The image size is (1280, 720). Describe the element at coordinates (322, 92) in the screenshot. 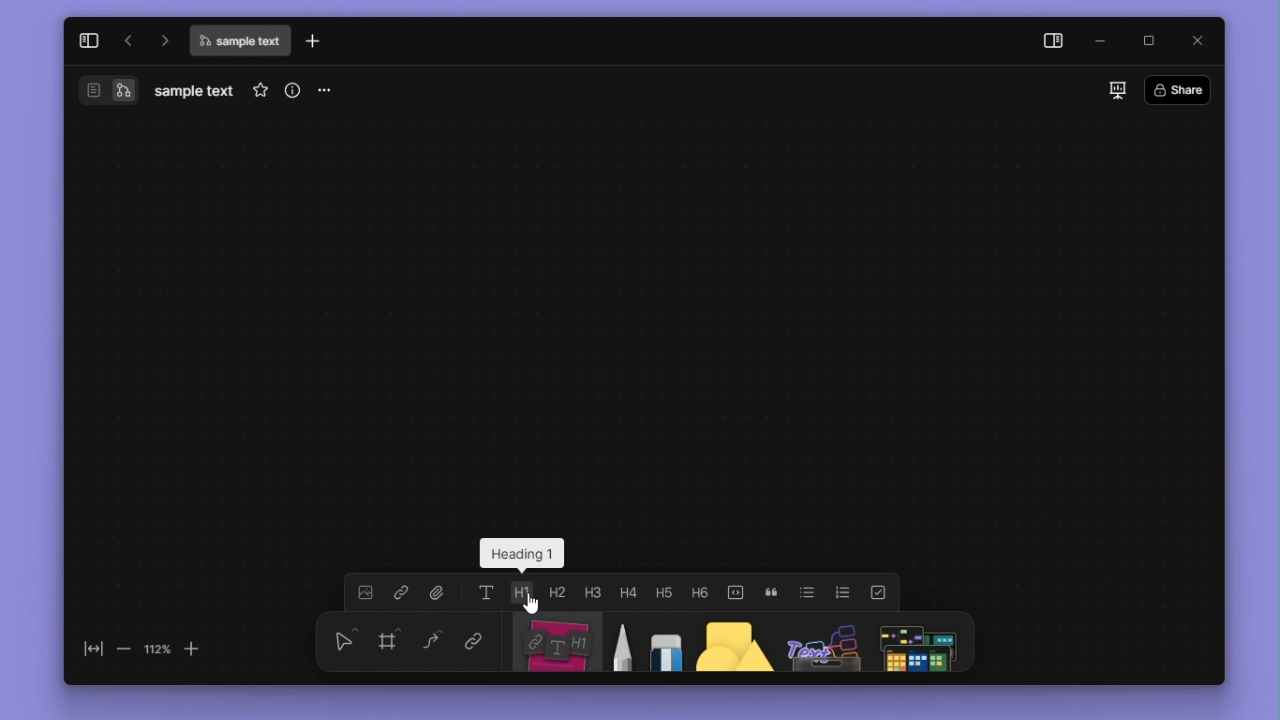

I see `more` at that location.